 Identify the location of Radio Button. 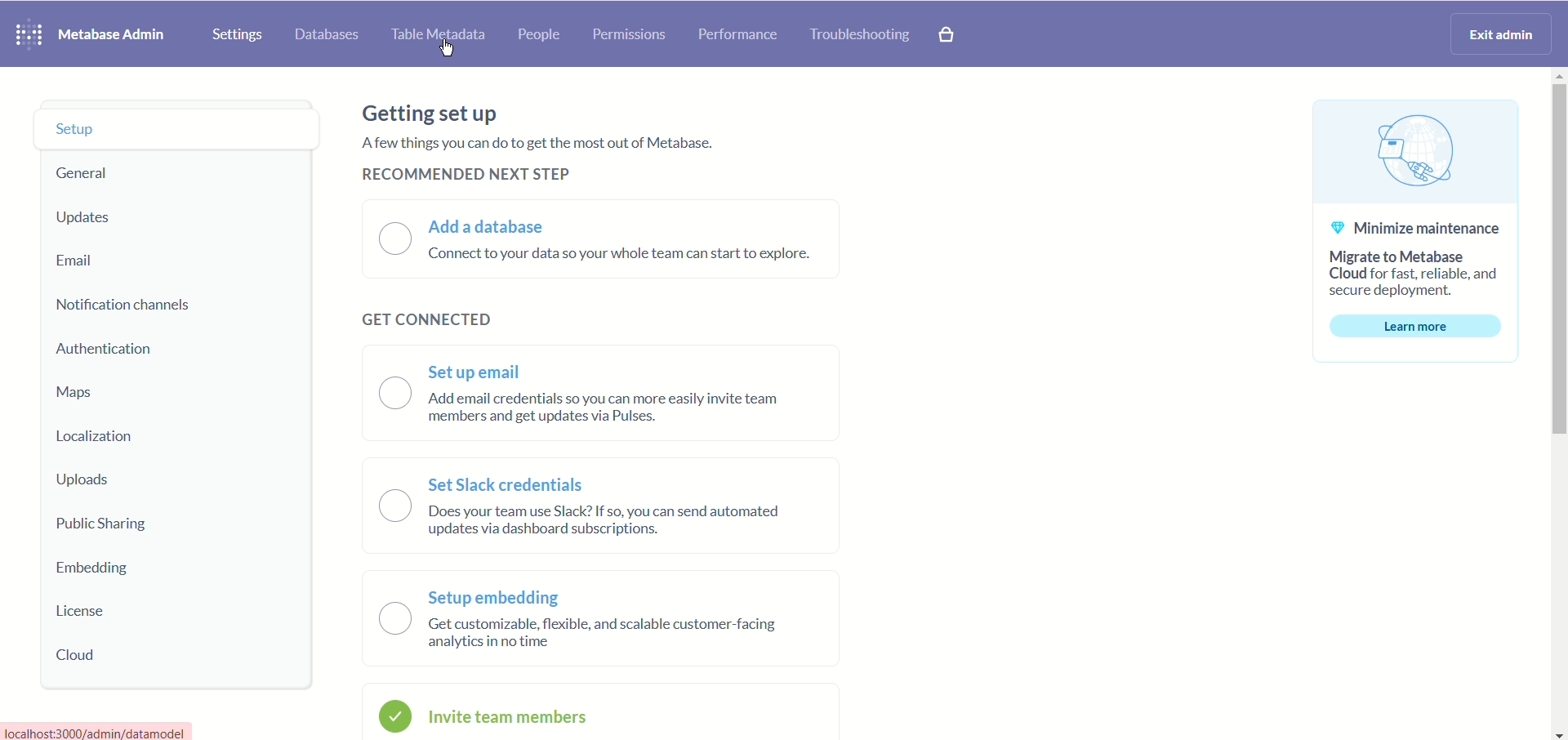
(388, 238).